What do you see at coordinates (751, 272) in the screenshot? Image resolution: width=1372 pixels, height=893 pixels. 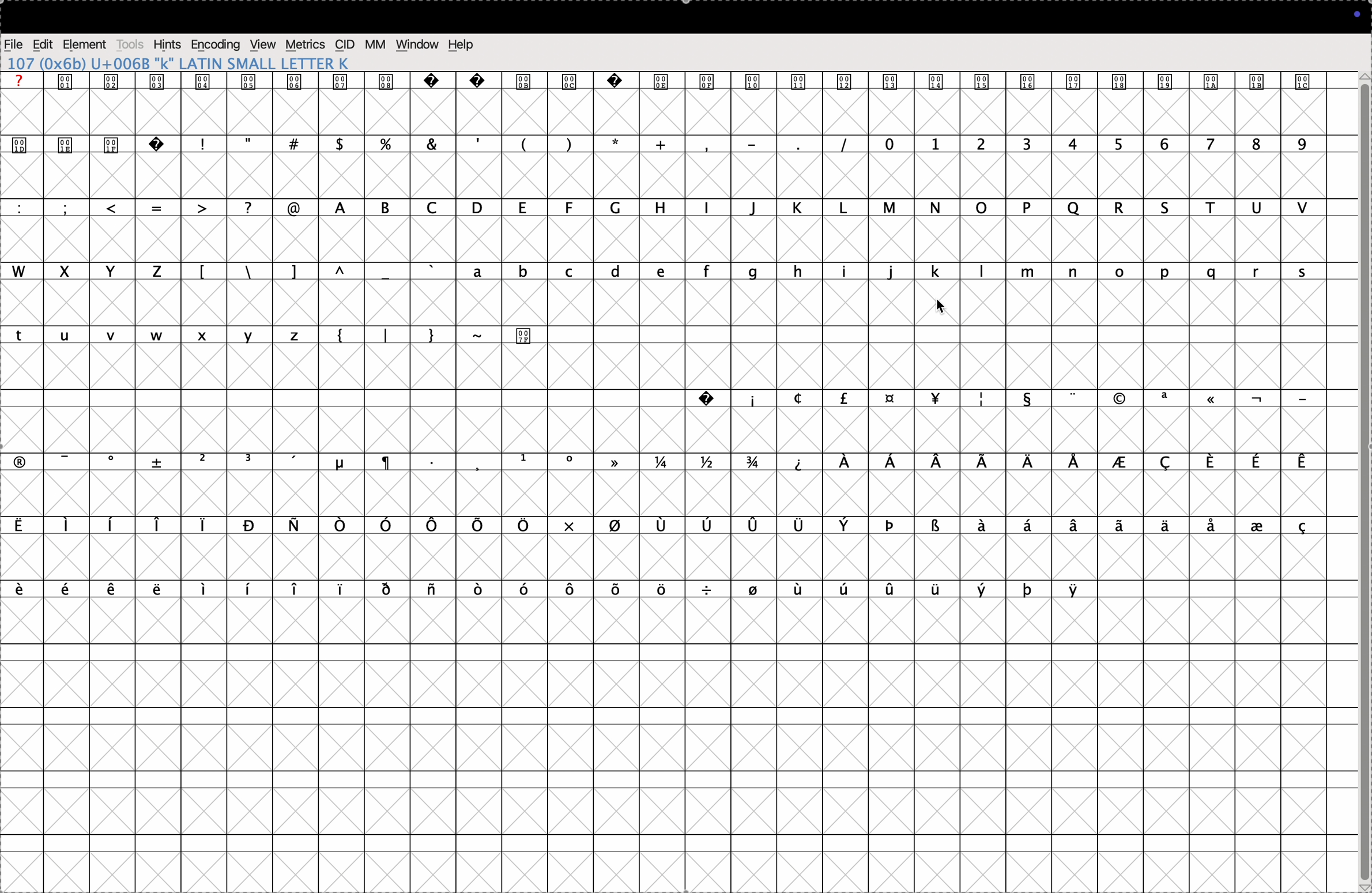 I see `g` at bounding box center [751, 272].